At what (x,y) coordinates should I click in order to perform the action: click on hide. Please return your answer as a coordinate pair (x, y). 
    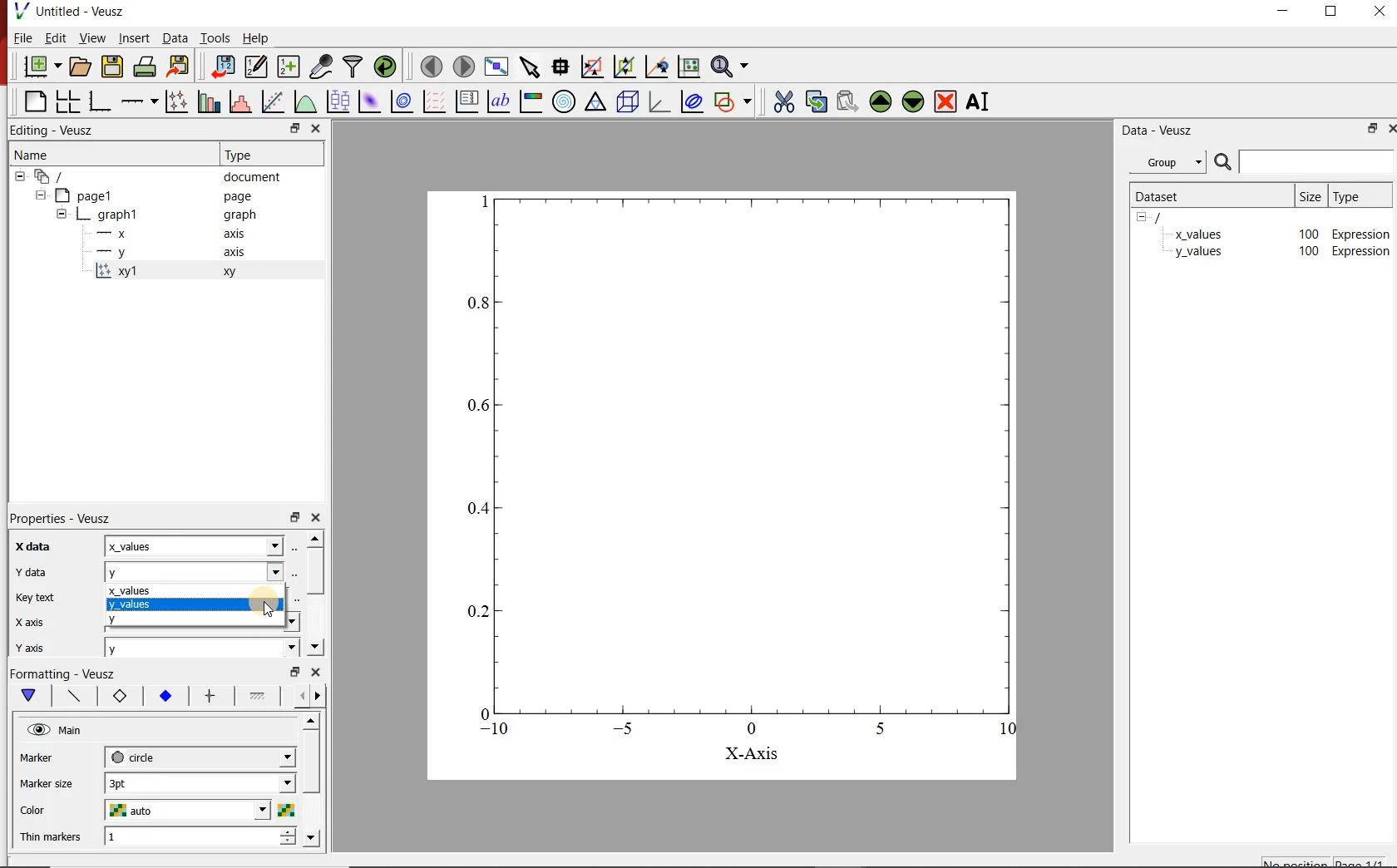
    Looking at the image, I should click on (40, 195).